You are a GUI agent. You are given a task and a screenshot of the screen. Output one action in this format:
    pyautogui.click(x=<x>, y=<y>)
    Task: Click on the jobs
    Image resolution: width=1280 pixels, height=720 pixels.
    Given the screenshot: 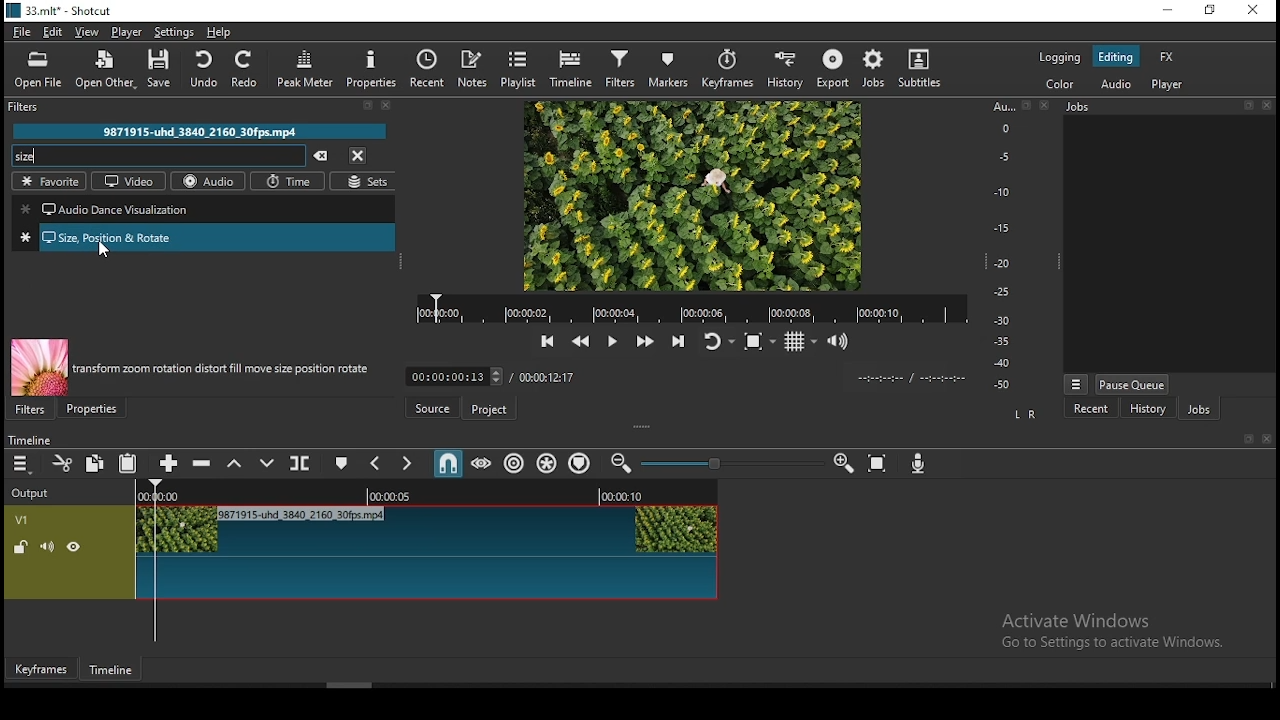 What is the action you would take?
    pyautogui.click(x=874, y=67)
    